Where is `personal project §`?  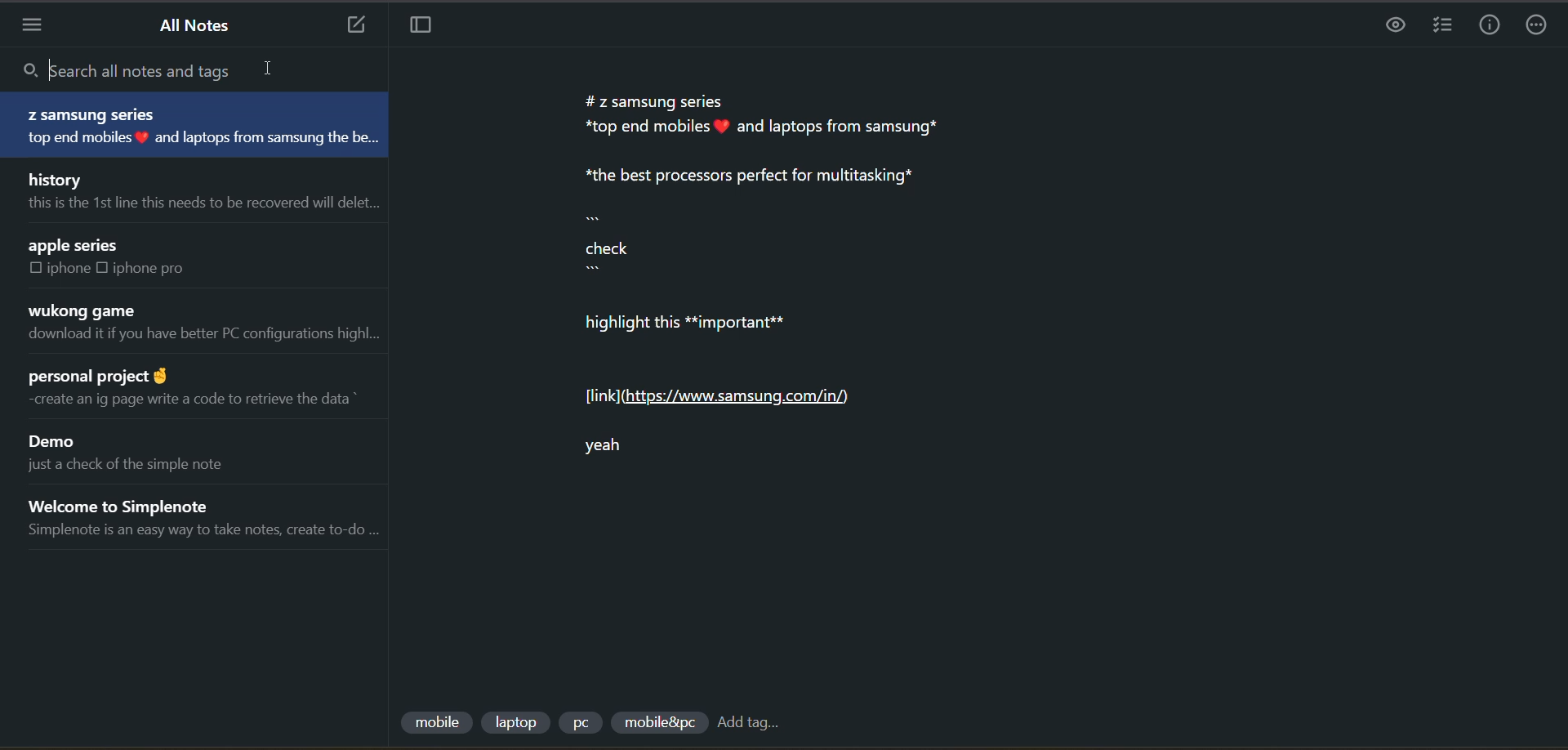
personal project § is located at coordinates (115, 376).